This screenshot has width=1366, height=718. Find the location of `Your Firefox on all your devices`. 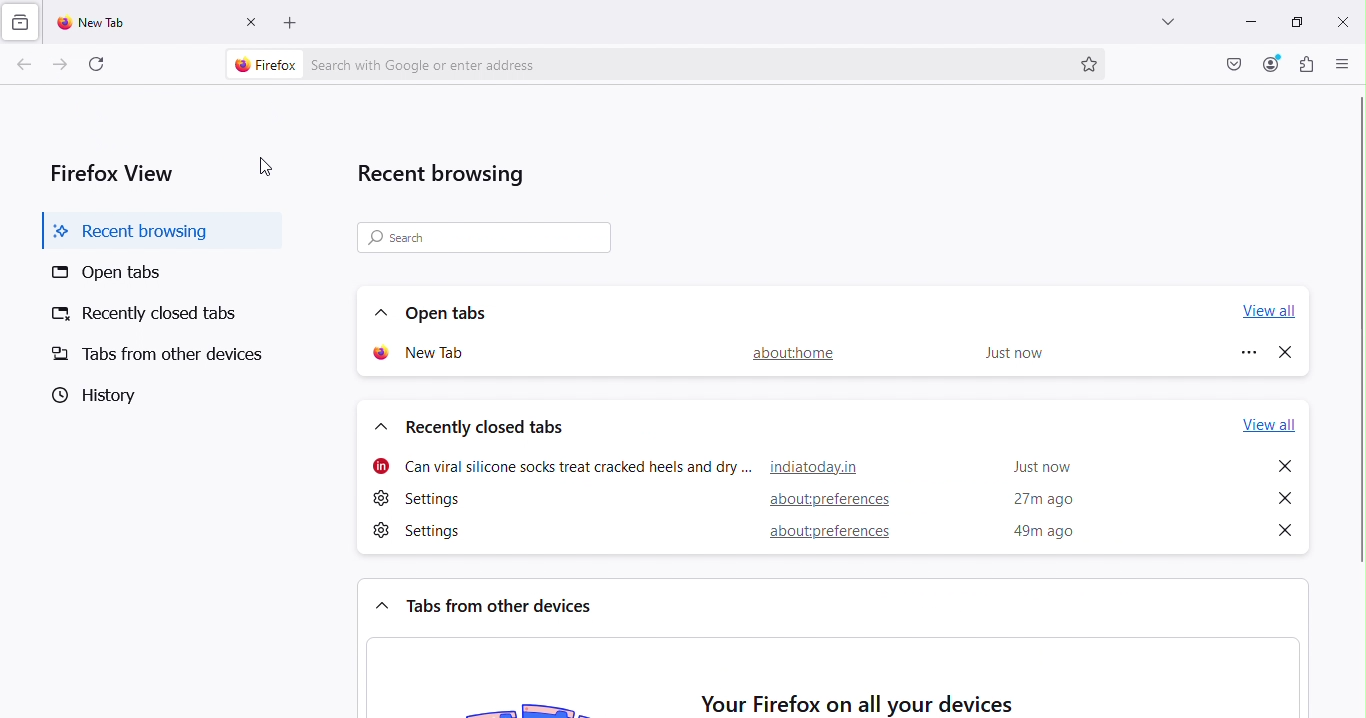

Your Firefox on all your devices is located at coordinates (849, 700).